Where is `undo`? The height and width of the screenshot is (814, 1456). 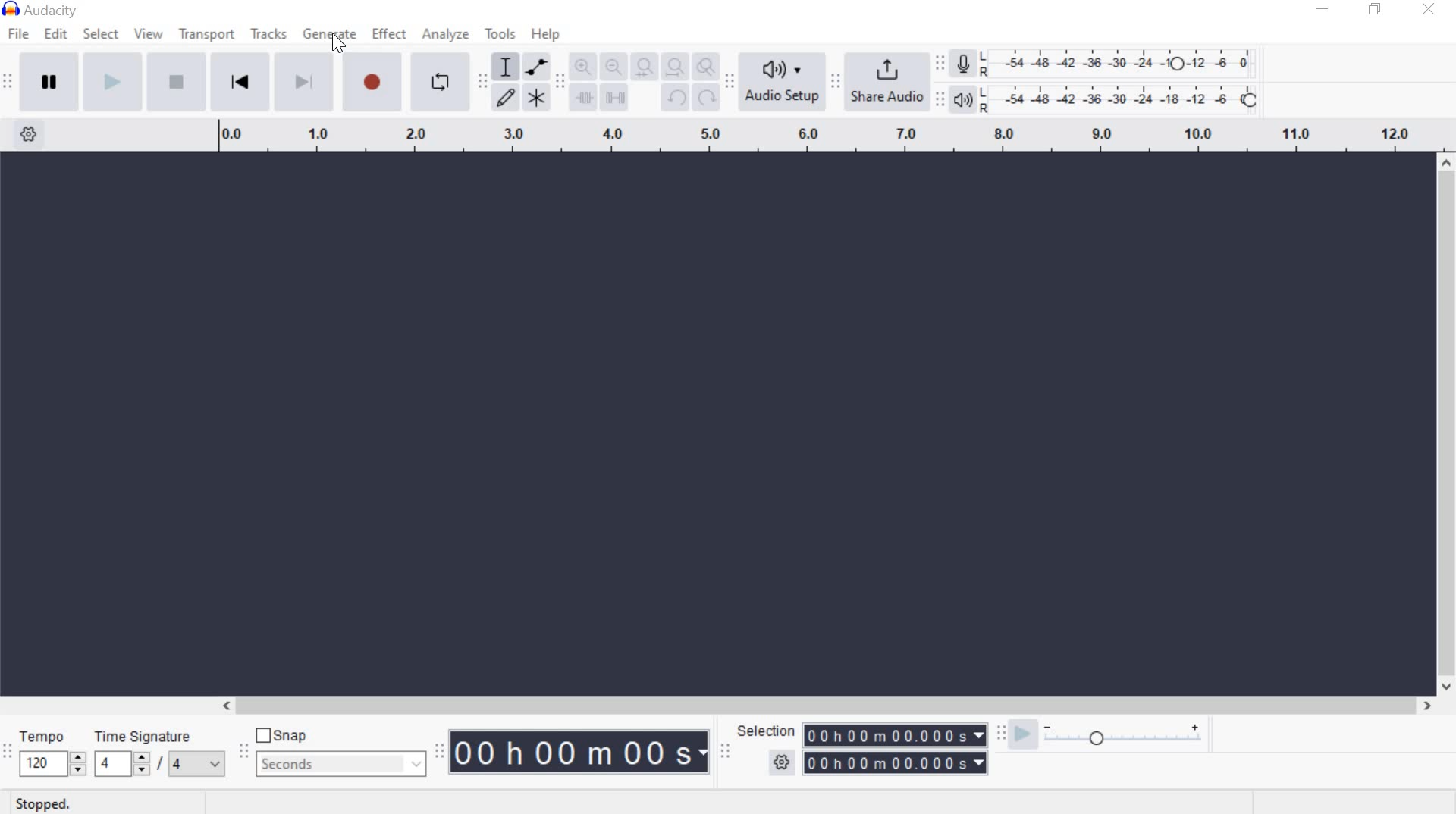 undo is located at coordinates (675, 99).